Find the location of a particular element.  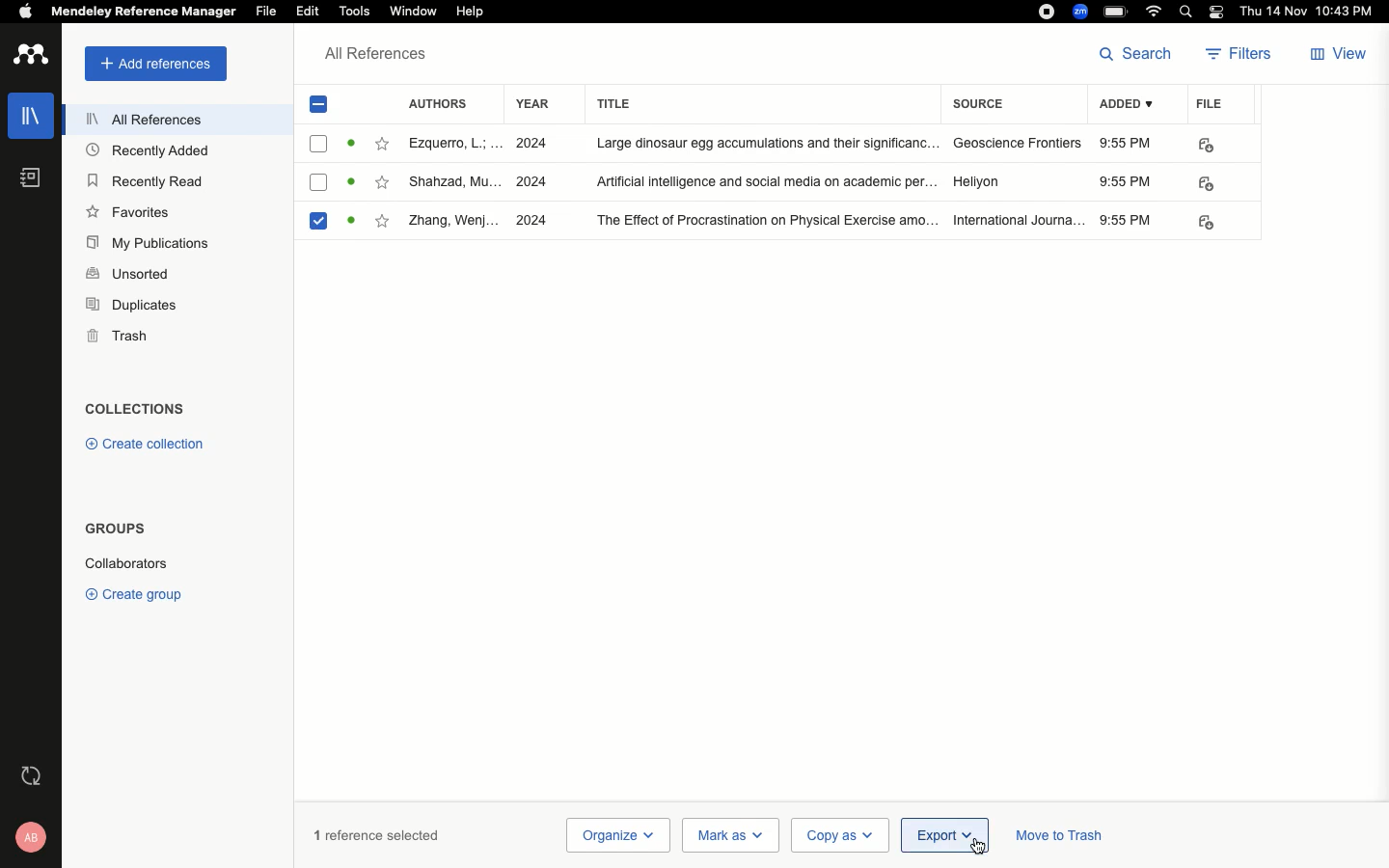

Mendeley reference manager is located at coordinates (141, 12).